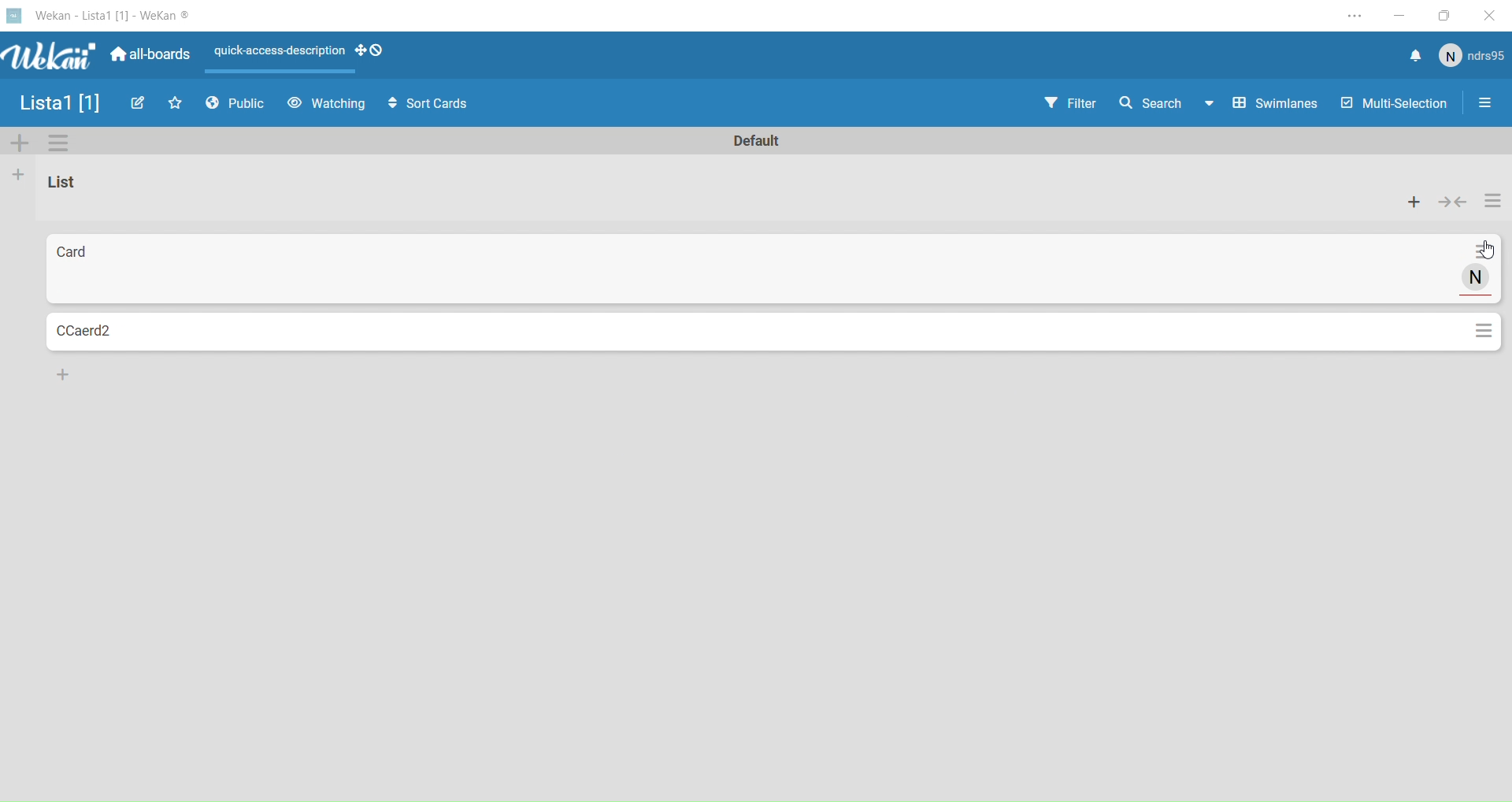 The image size is (1512, 802). I want to click on Add, so click(65, 374).